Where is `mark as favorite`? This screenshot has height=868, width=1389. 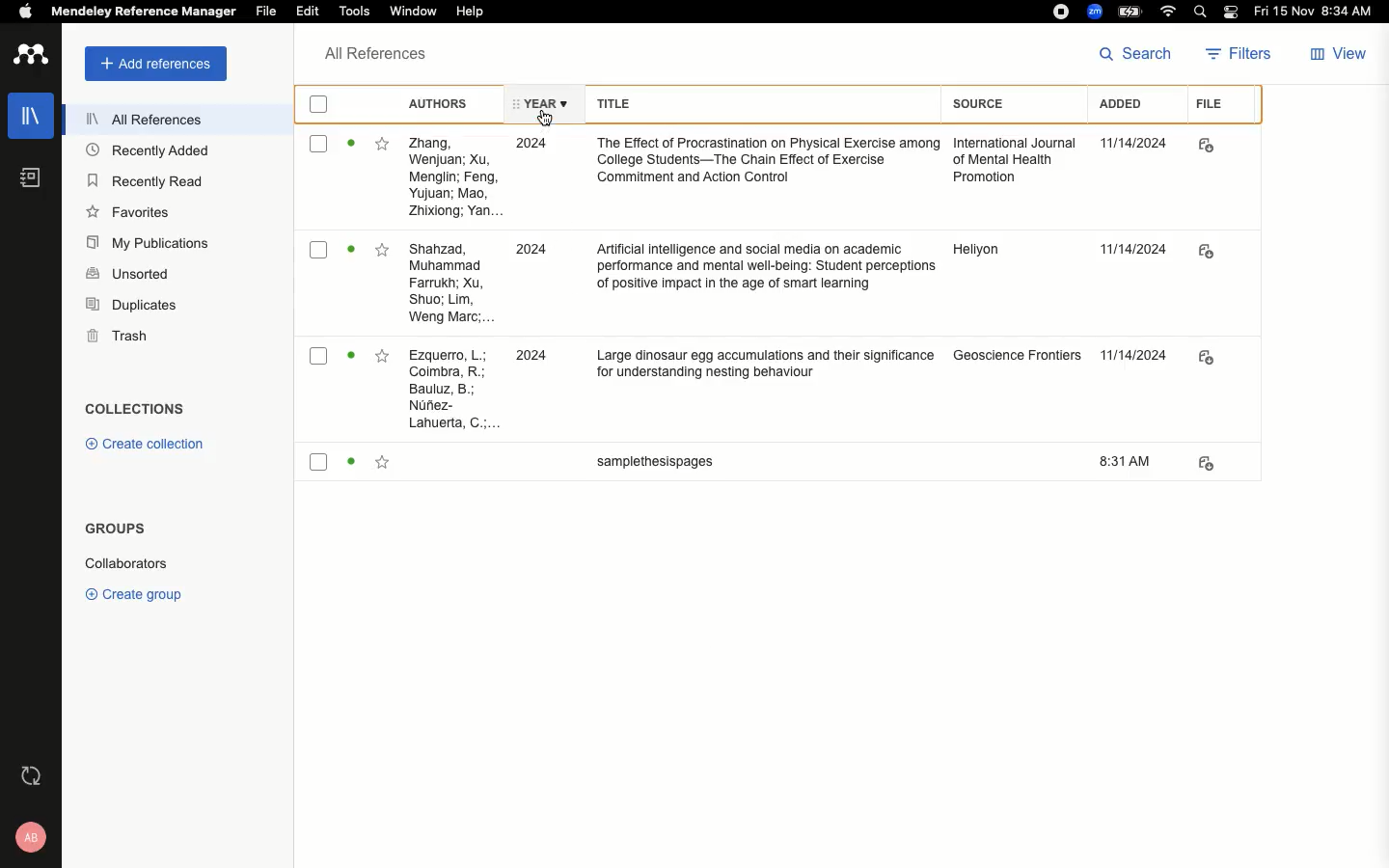 mark as favorite is located at coordinates (382, 253).